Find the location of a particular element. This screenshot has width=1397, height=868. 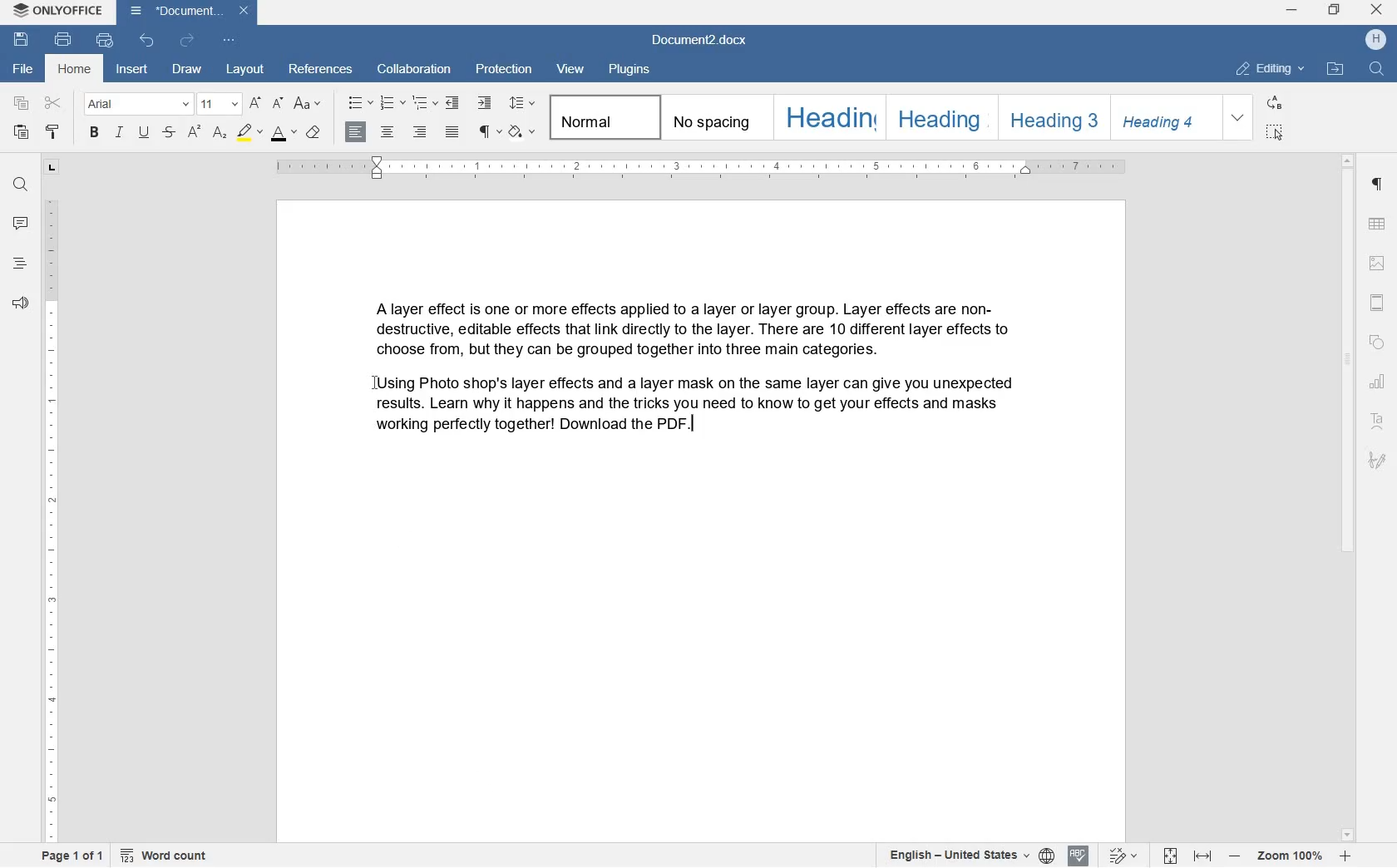

TAB STOP is located at coordinates (52, 167).